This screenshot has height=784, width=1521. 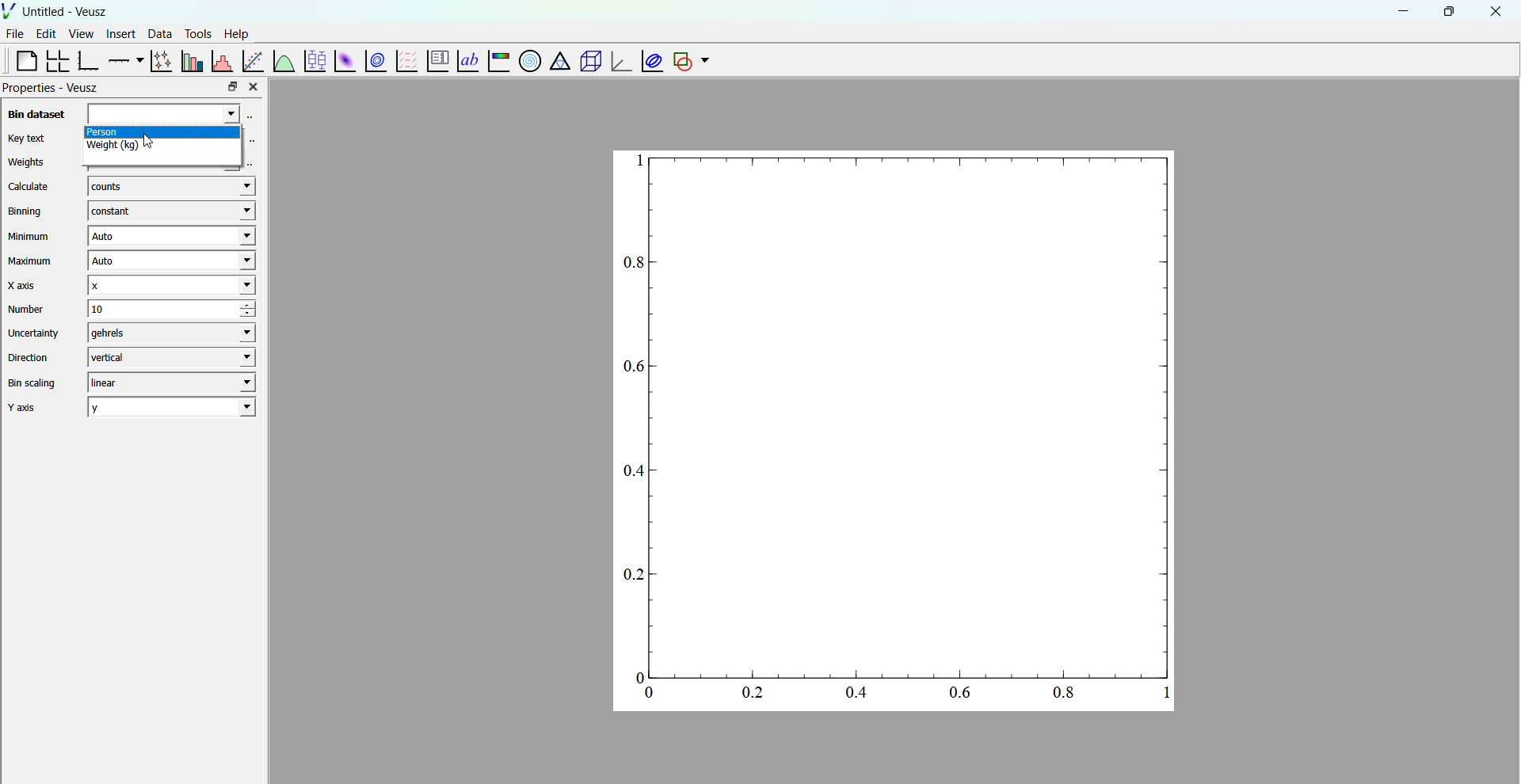 I want to click on Number, so click(x=27, y=309).